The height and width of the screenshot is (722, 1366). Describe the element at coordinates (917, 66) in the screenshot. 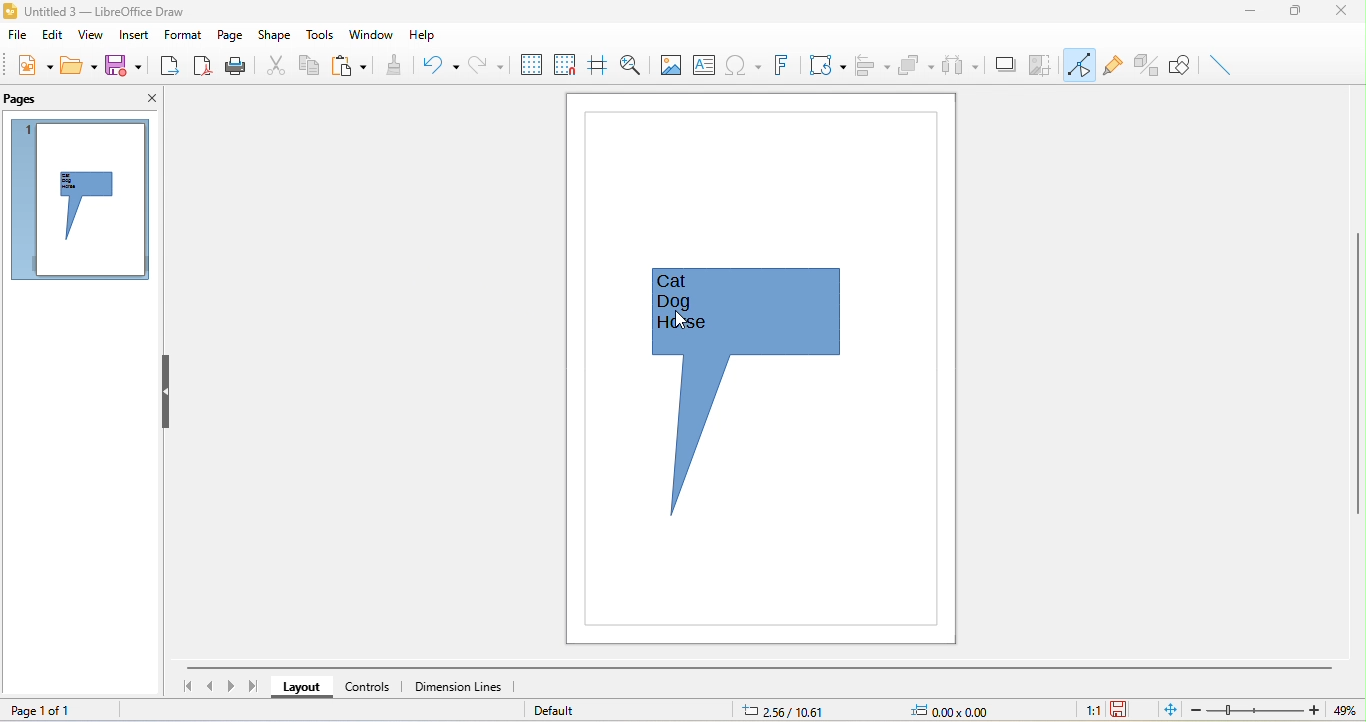

I see `arrange` at that location.